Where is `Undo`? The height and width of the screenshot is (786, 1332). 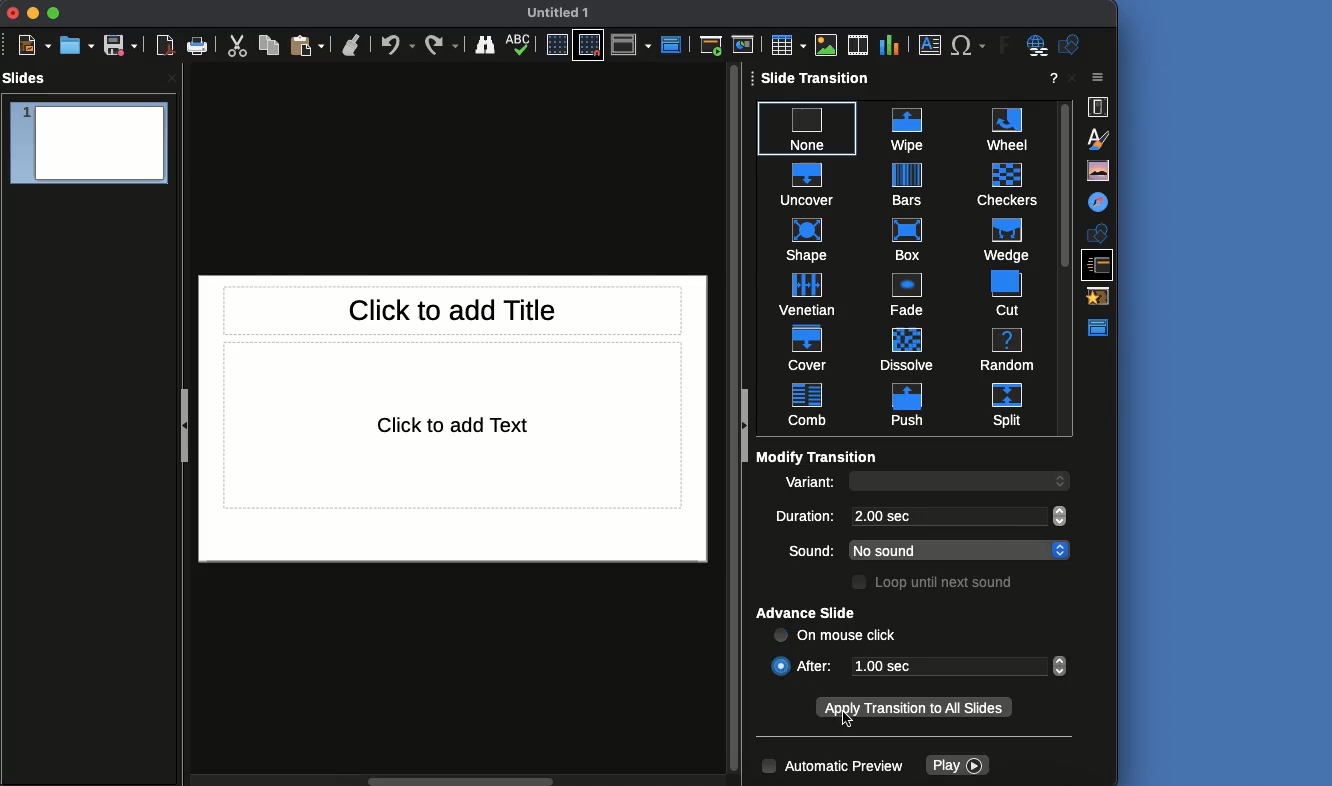
Undo is located at coordinates (398, 44).